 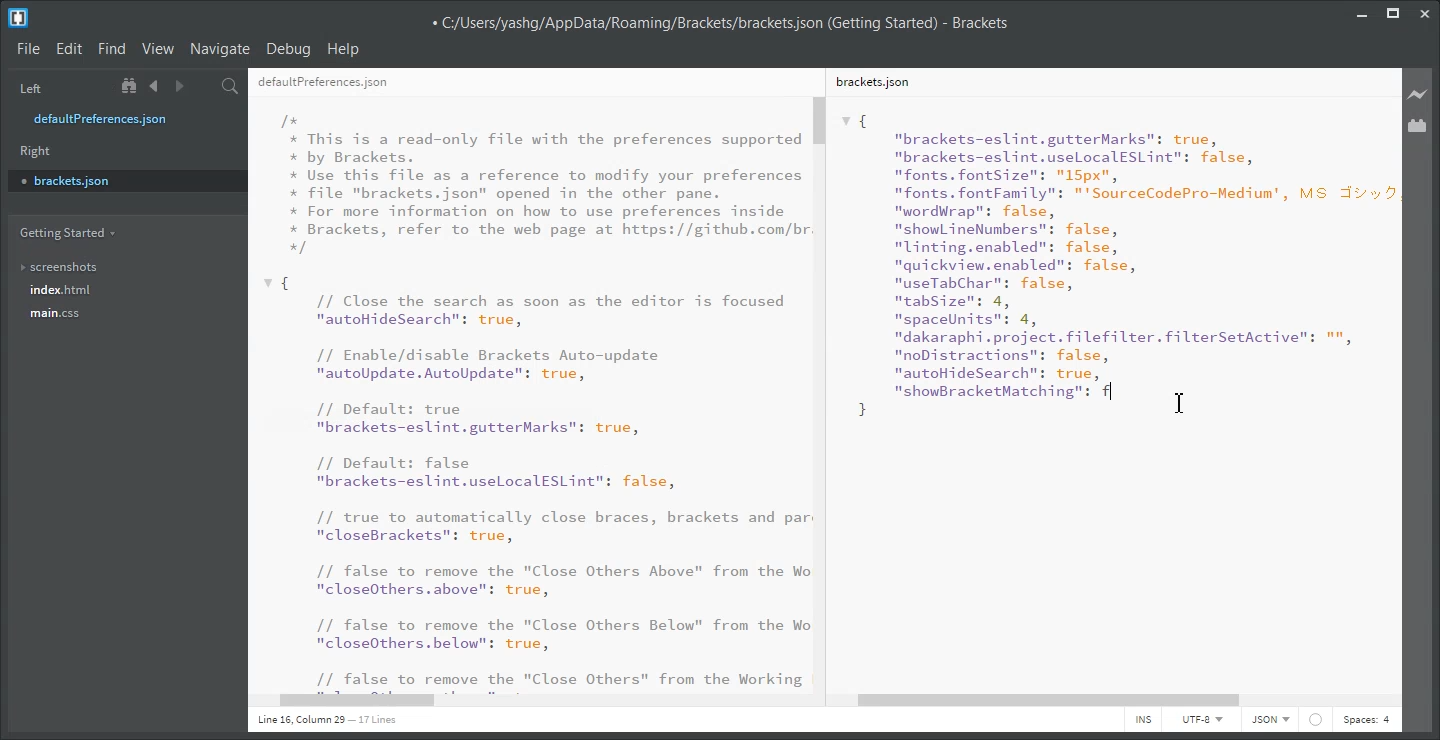 What do you see at coordinates (1183, 402) in the screenshot?
I see `cursor` at bounding box center [1183, 402].